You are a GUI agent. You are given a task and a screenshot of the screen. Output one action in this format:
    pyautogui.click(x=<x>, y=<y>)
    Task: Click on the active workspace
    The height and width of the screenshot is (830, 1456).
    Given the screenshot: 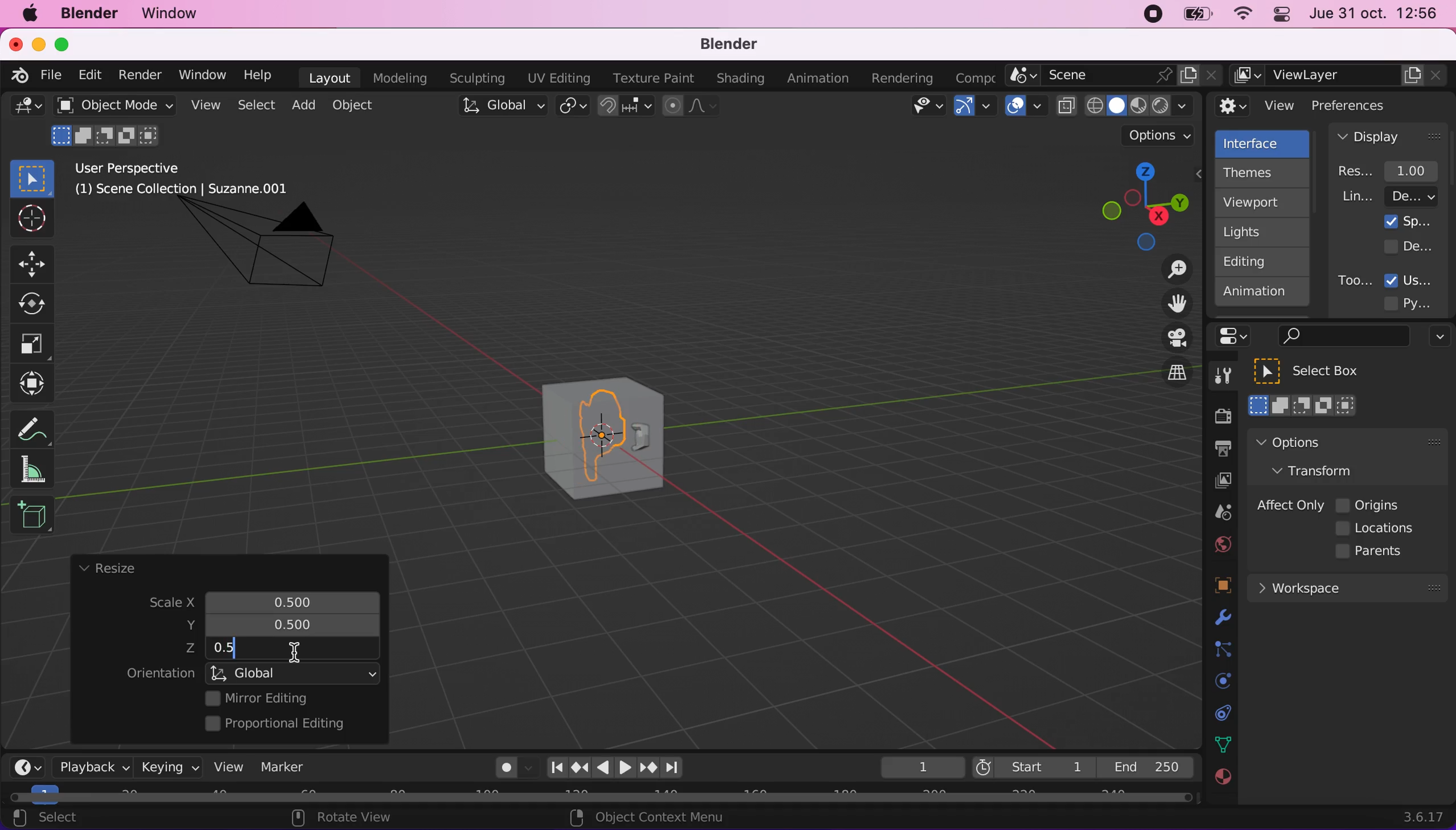 What is the action you would take?
    pyautogui.click(x=971, y=76)
    